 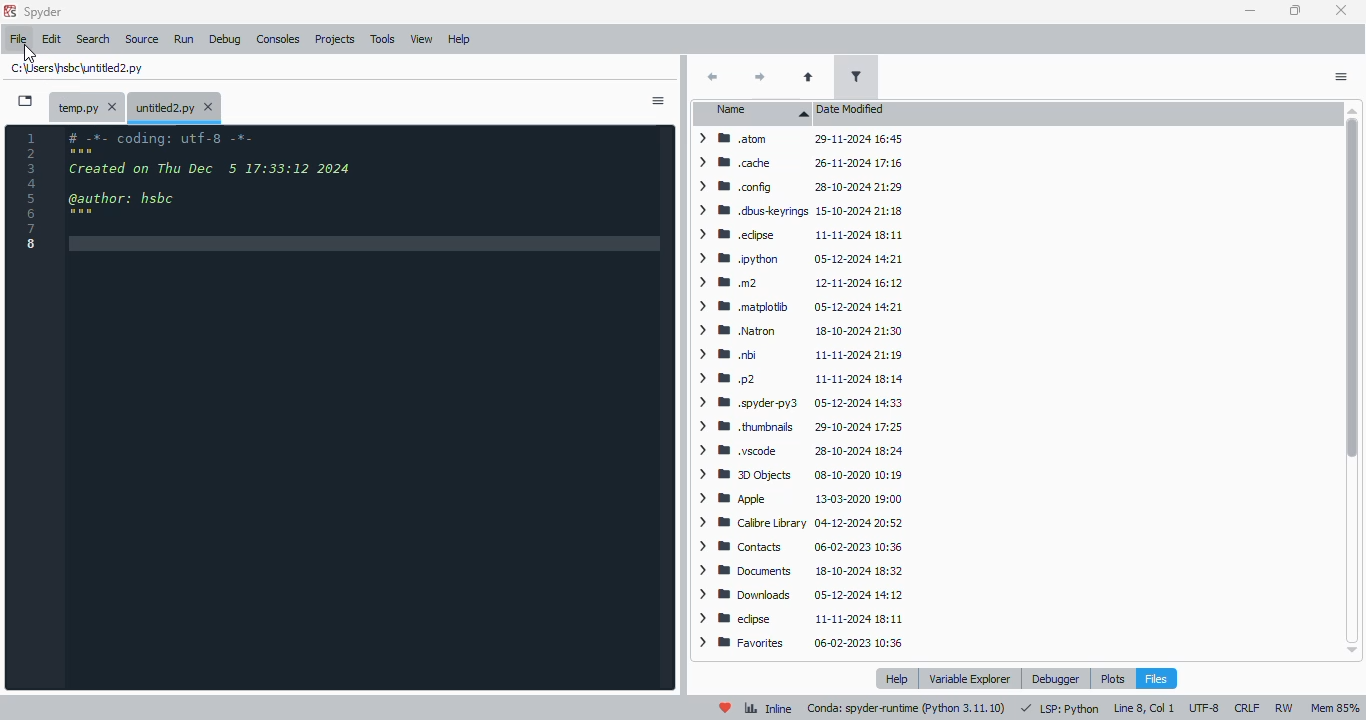 I want to click on actions, so click(x=1340, y=77).